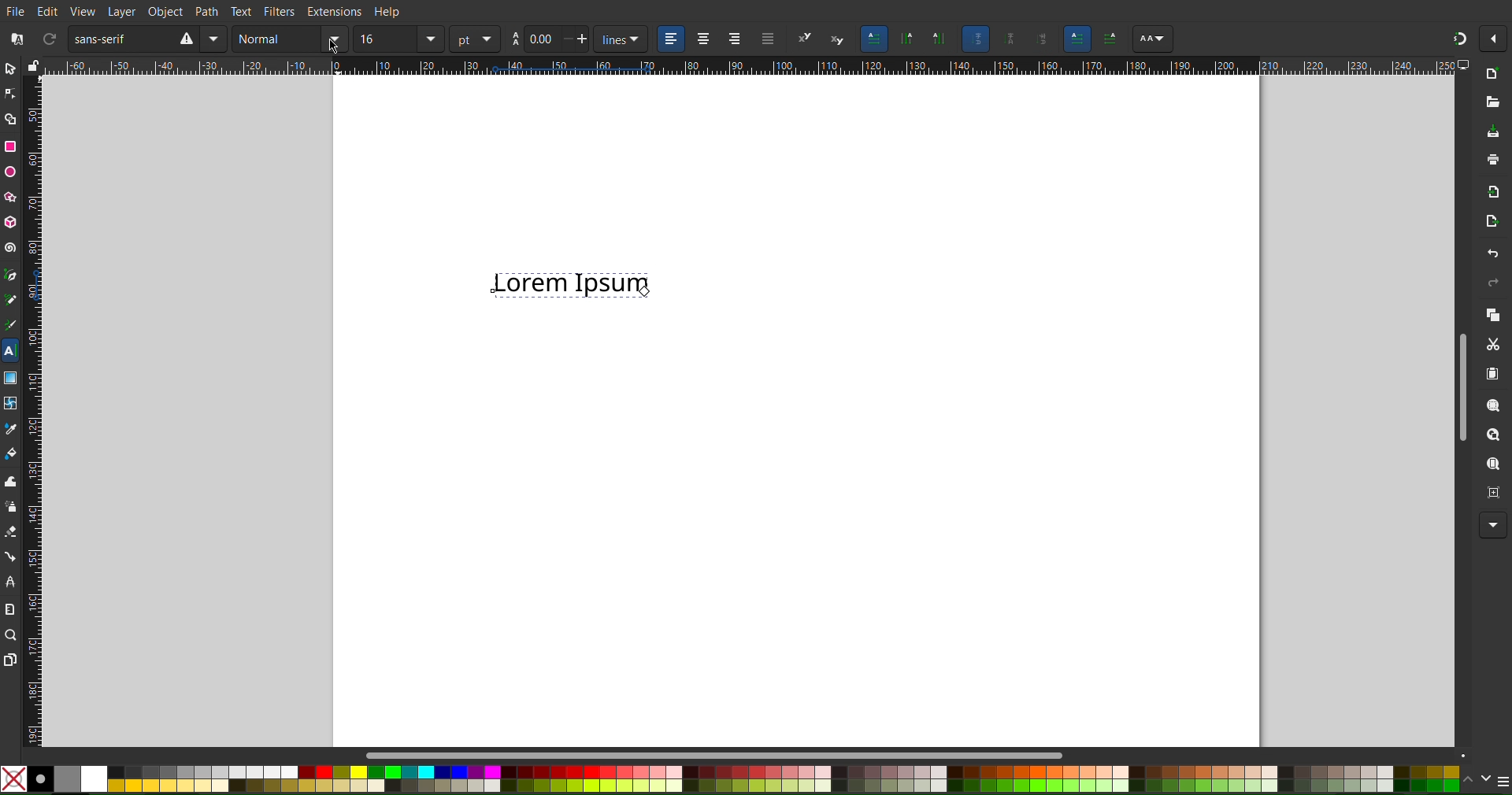 The image size is (1512, 795). What do you see at coordinates (1488, 405) in the screenshot?
I see `Zoom Selection` at bounding box center [1488, 405].